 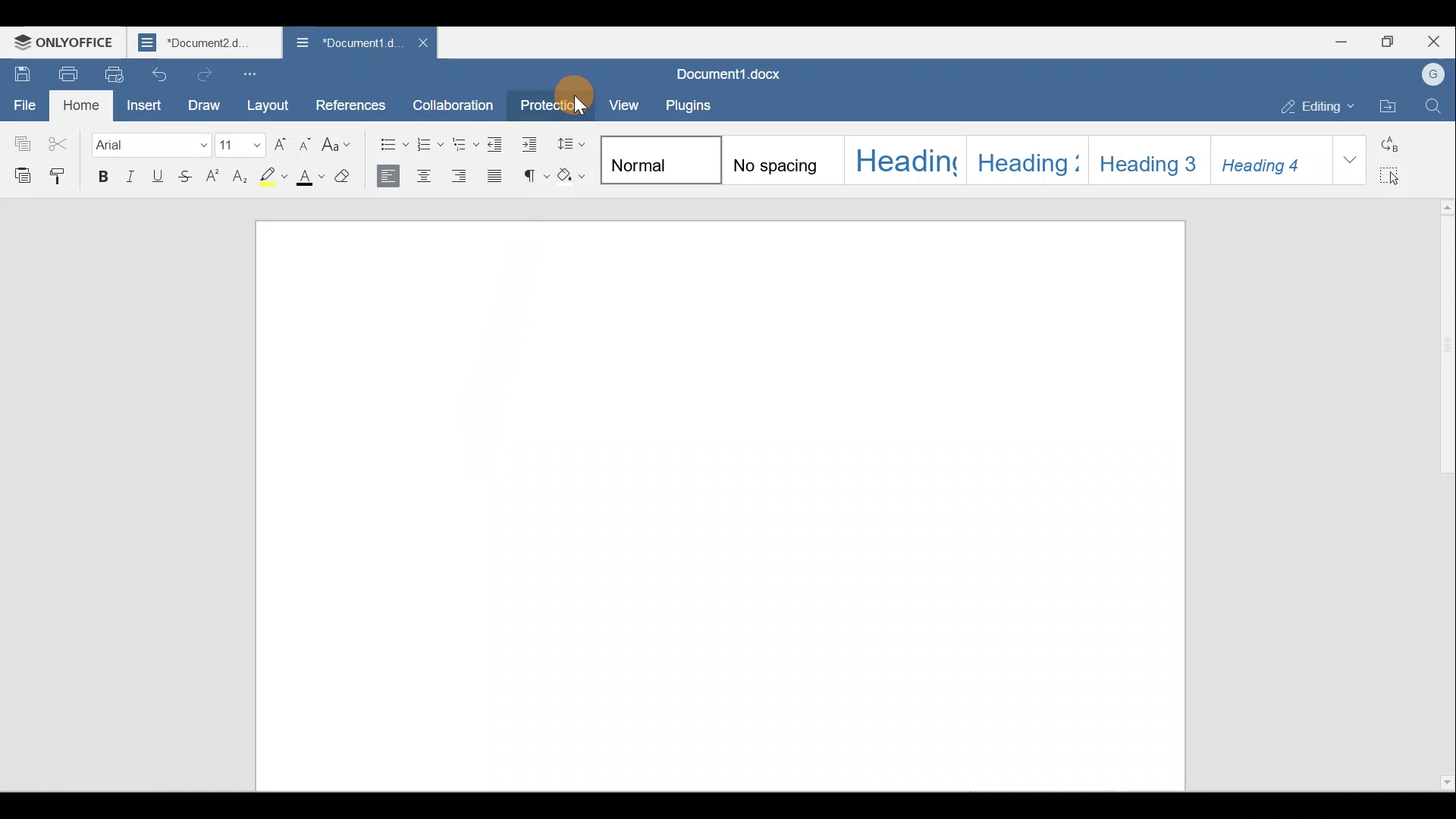 I want to click on Highlight color, so click(x=277, y=177).